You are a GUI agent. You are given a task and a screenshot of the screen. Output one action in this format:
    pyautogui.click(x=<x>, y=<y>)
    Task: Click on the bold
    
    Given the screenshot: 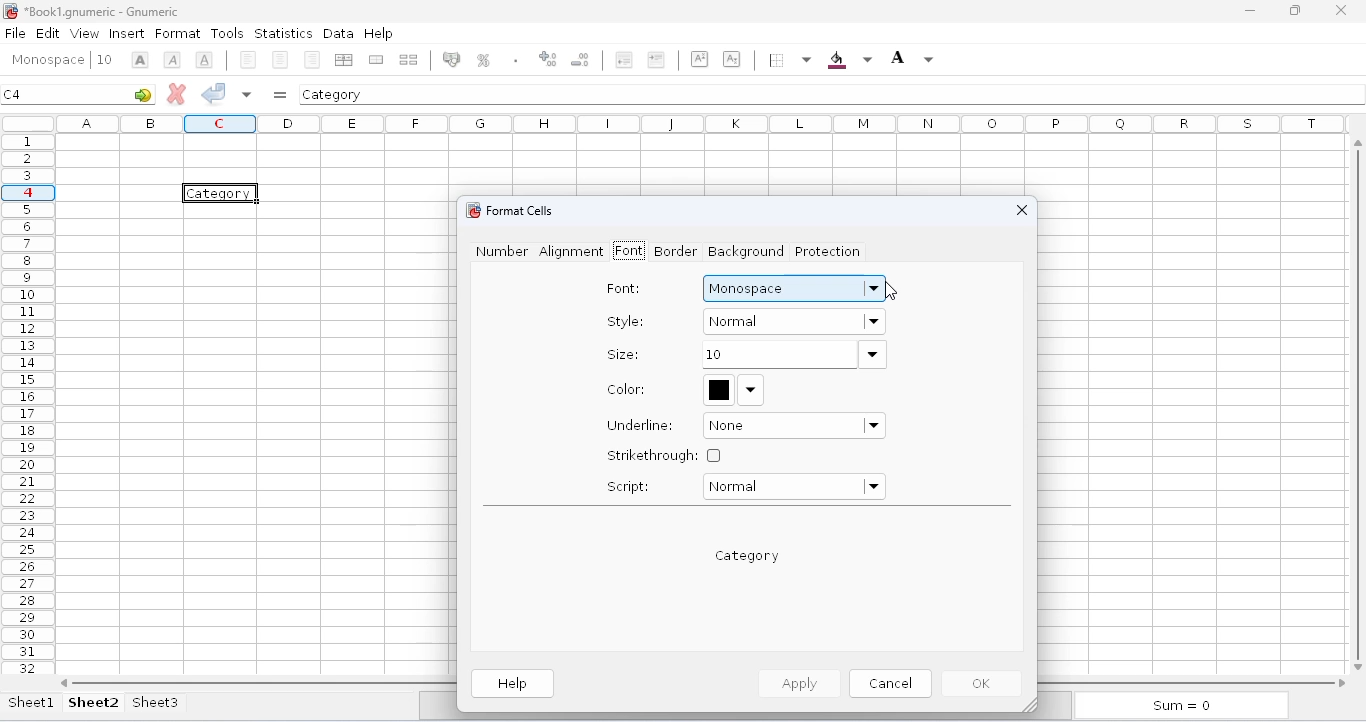 What is the action you would take?
    pyautogui.click(x=140, y=60)
    